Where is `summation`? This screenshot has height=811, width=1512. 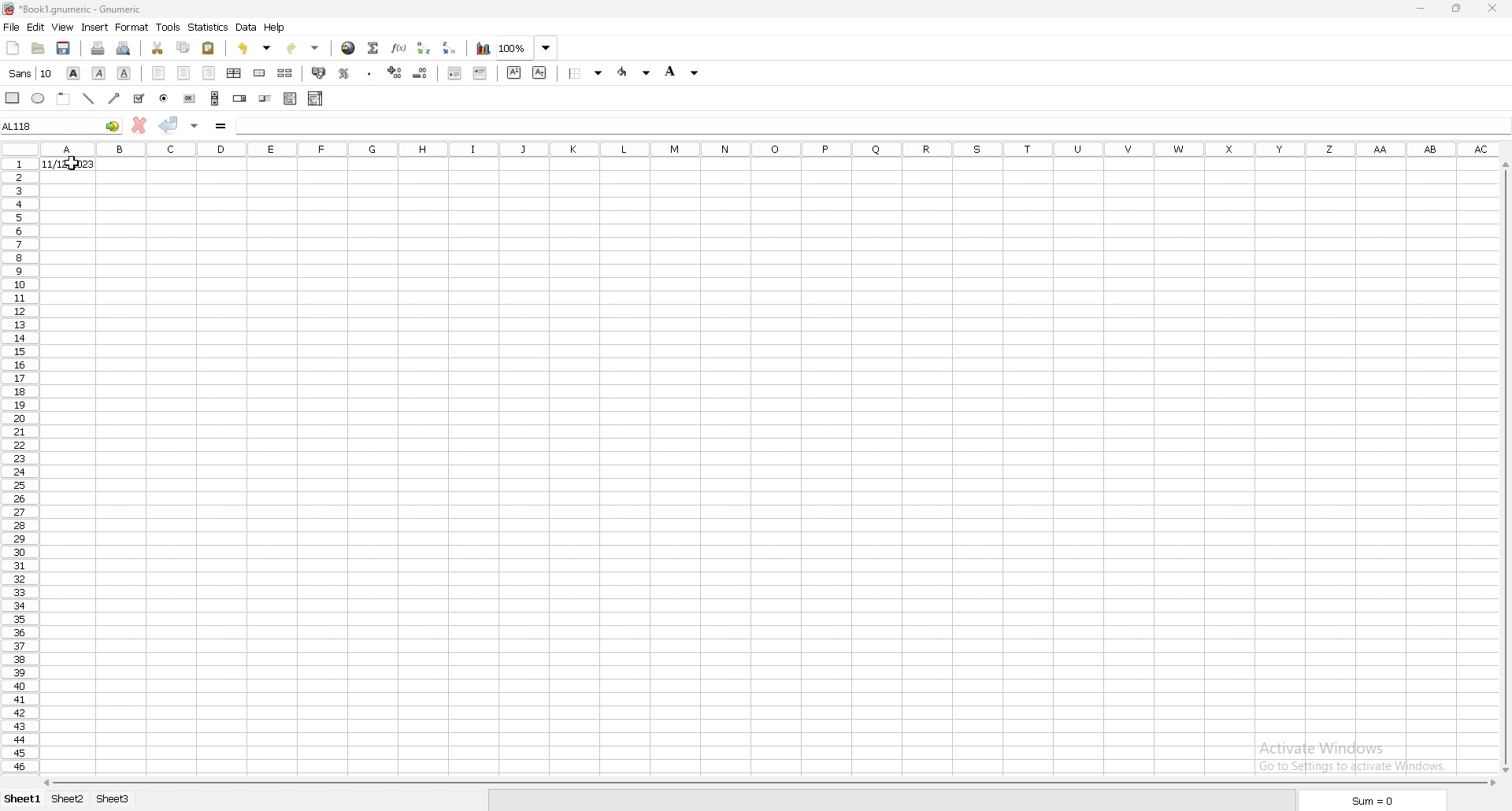 summation is located at coordinates (374, 47).